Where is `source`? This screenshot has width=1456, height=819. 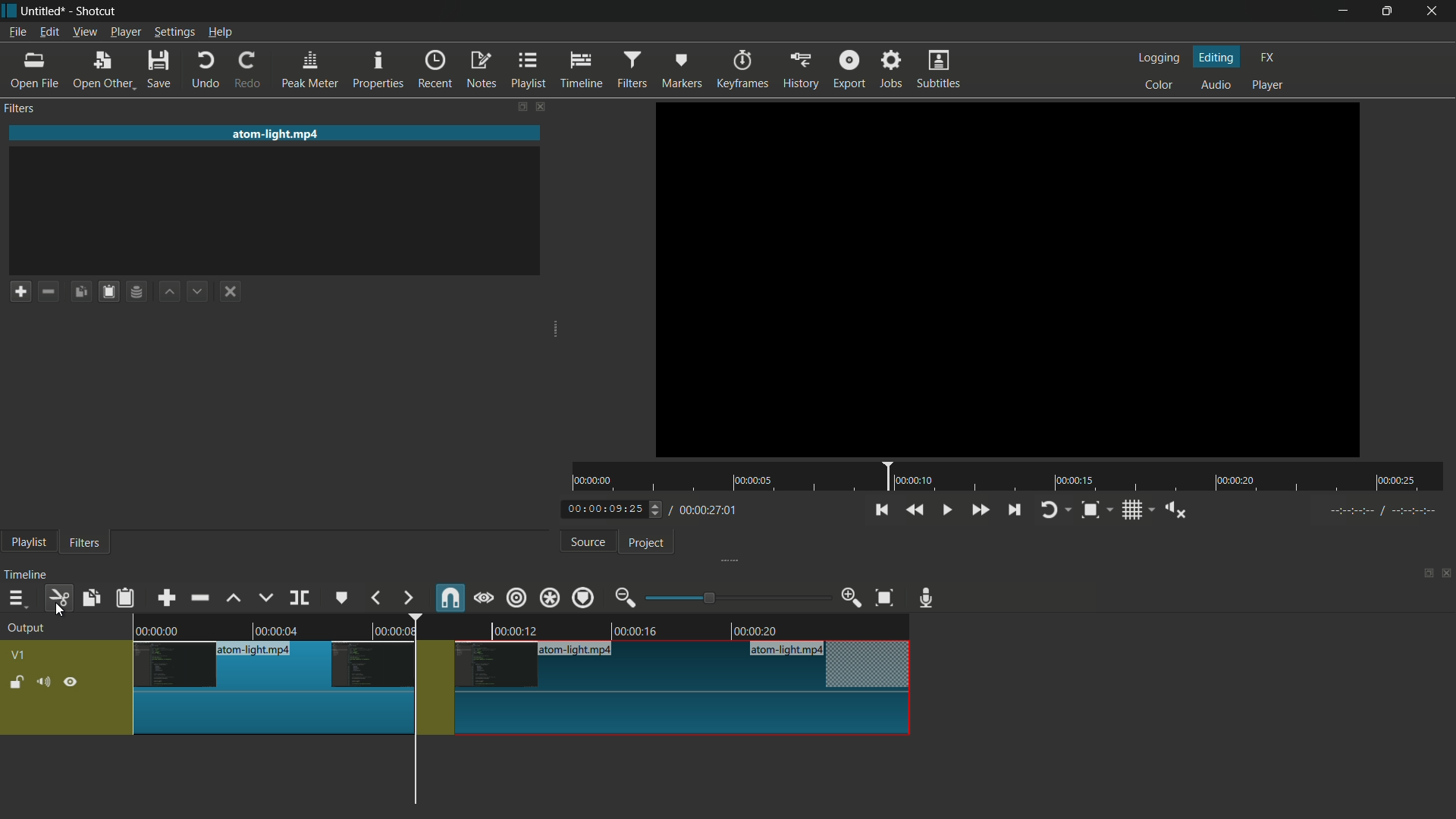
source is located at coordinates (588, 542).